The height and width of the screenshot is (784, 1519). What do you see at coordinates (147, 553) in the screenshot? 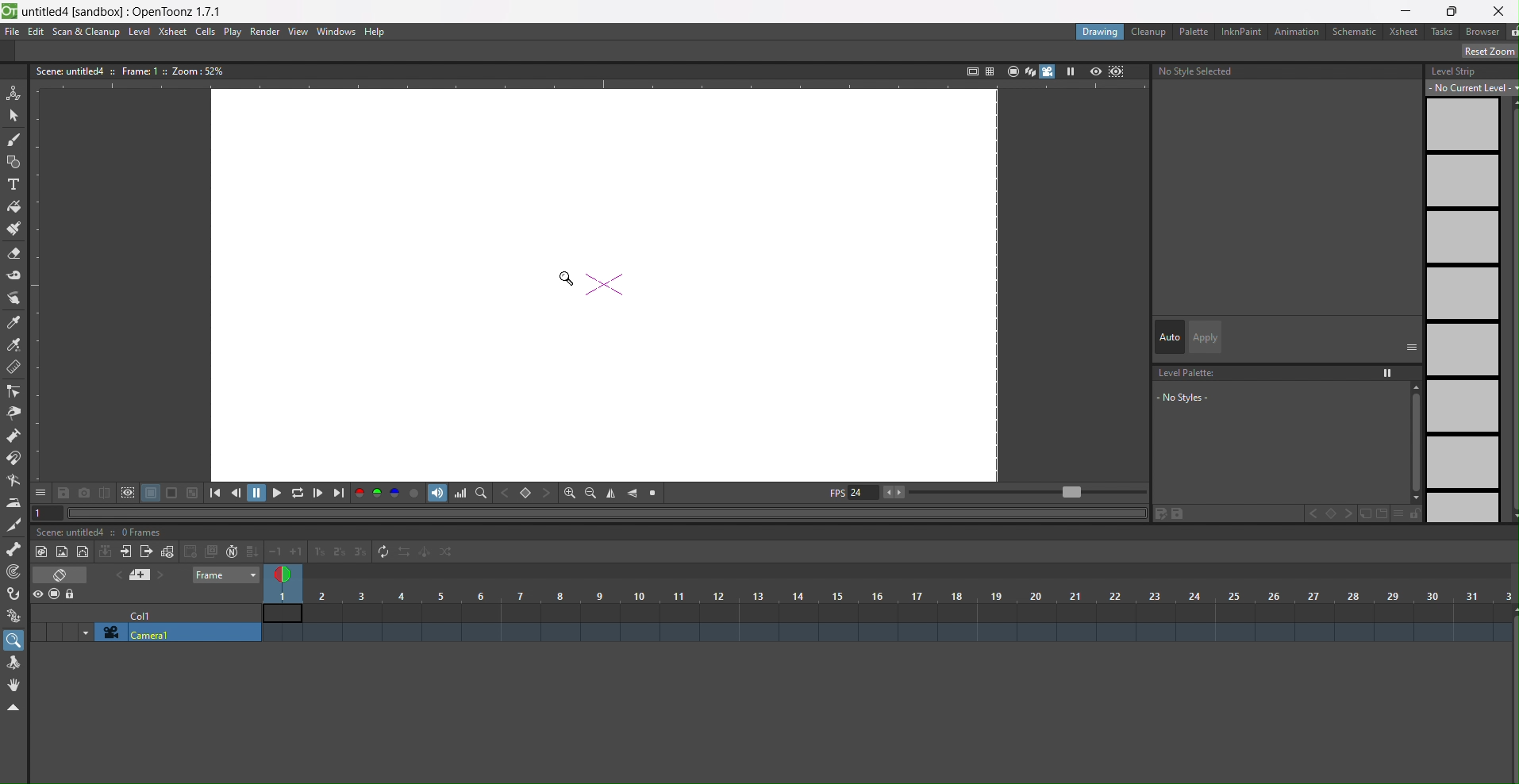
I see `next sub xsheey` at bounding box center [147, 553].